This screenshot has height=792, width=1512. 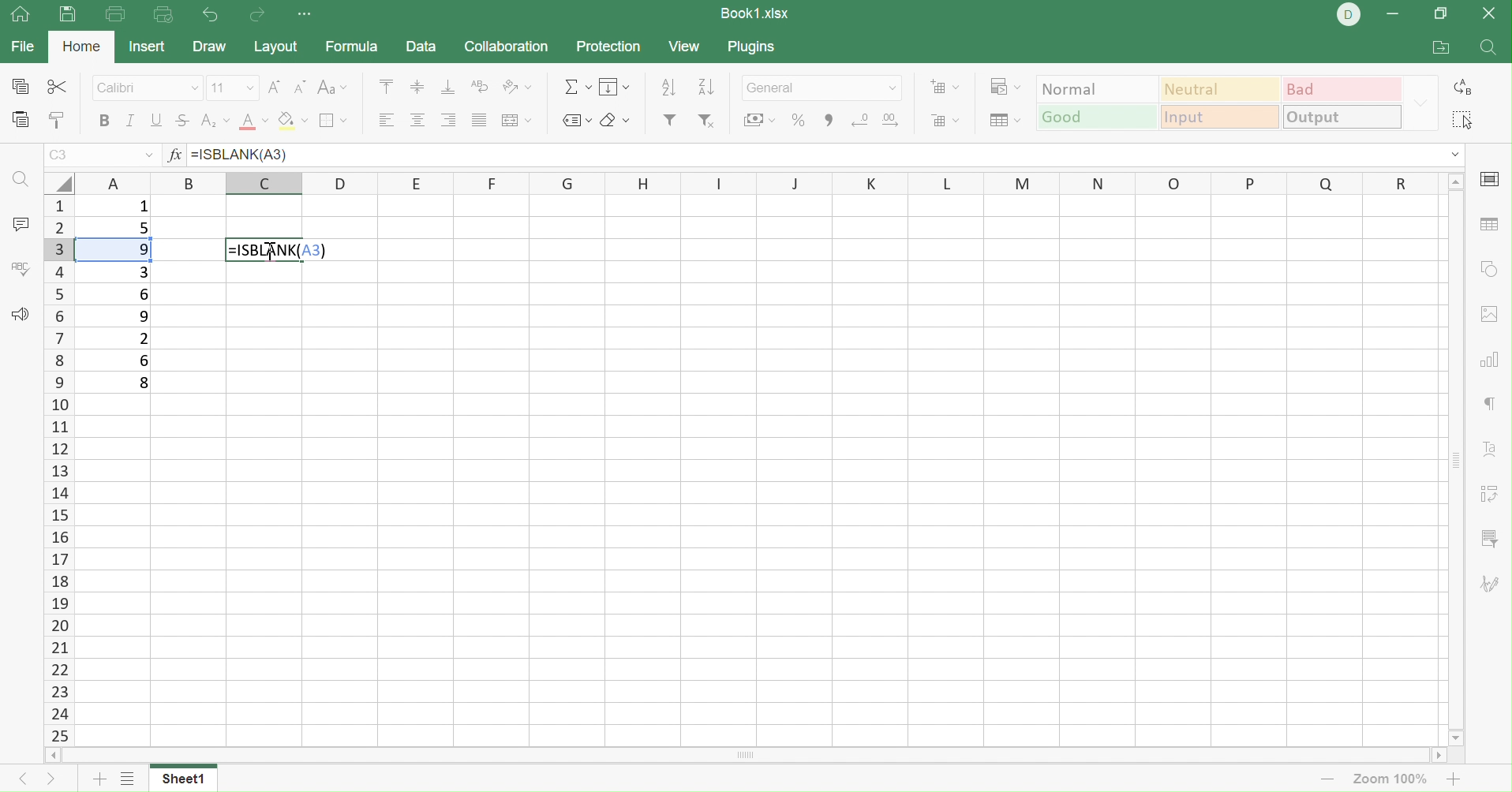 What do you see at coordinates (890, 88) in the screenshot?
I see `Drop down` at bounding box center [890, 88].